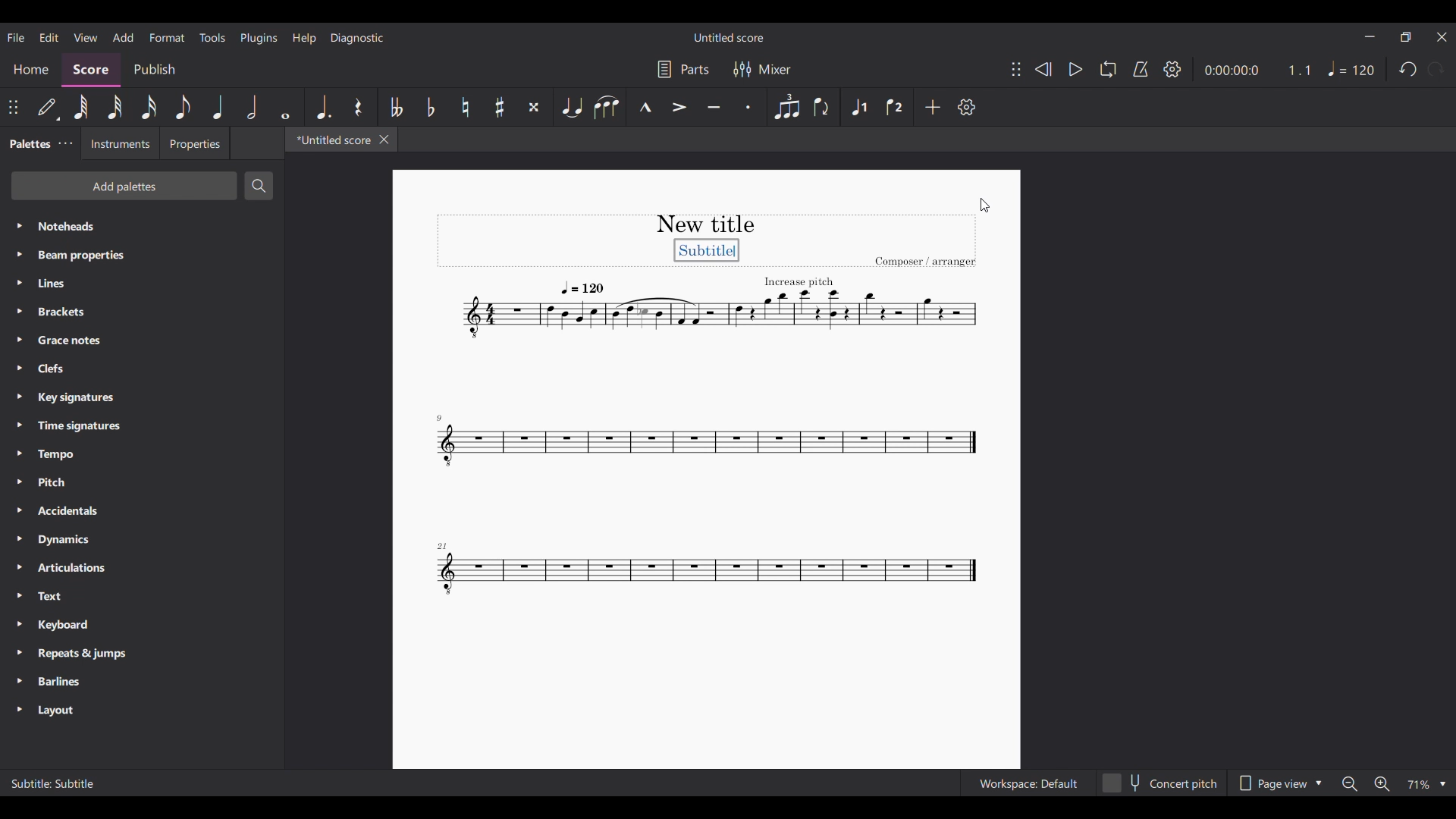  Describe the element at coordinates (714, 108) in the screenshot. I see `Tenuto` at that location.